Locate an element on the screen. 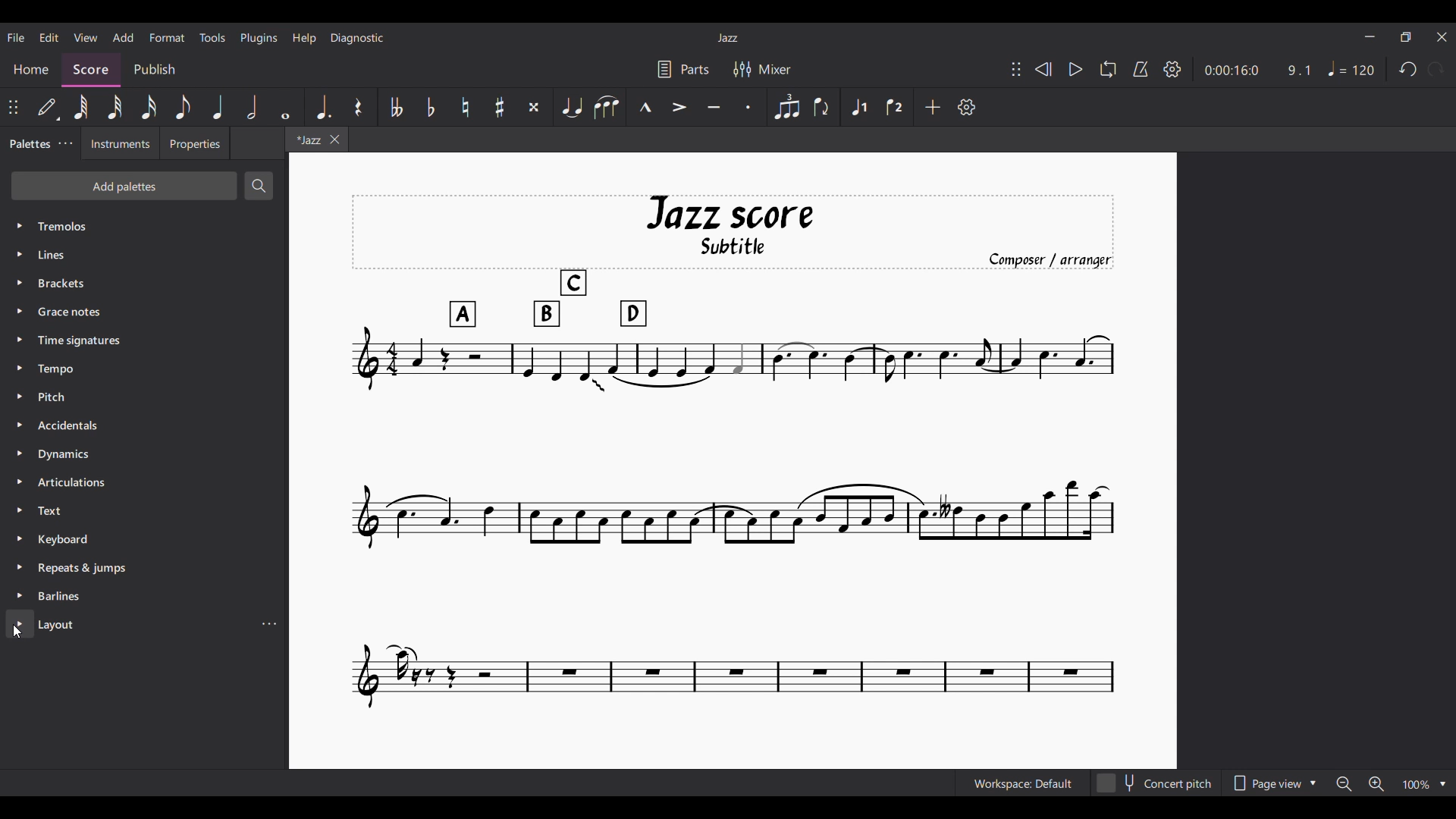 This screenshot has height=819, width=1456. Tempo is located at coordinates (1351, 68).